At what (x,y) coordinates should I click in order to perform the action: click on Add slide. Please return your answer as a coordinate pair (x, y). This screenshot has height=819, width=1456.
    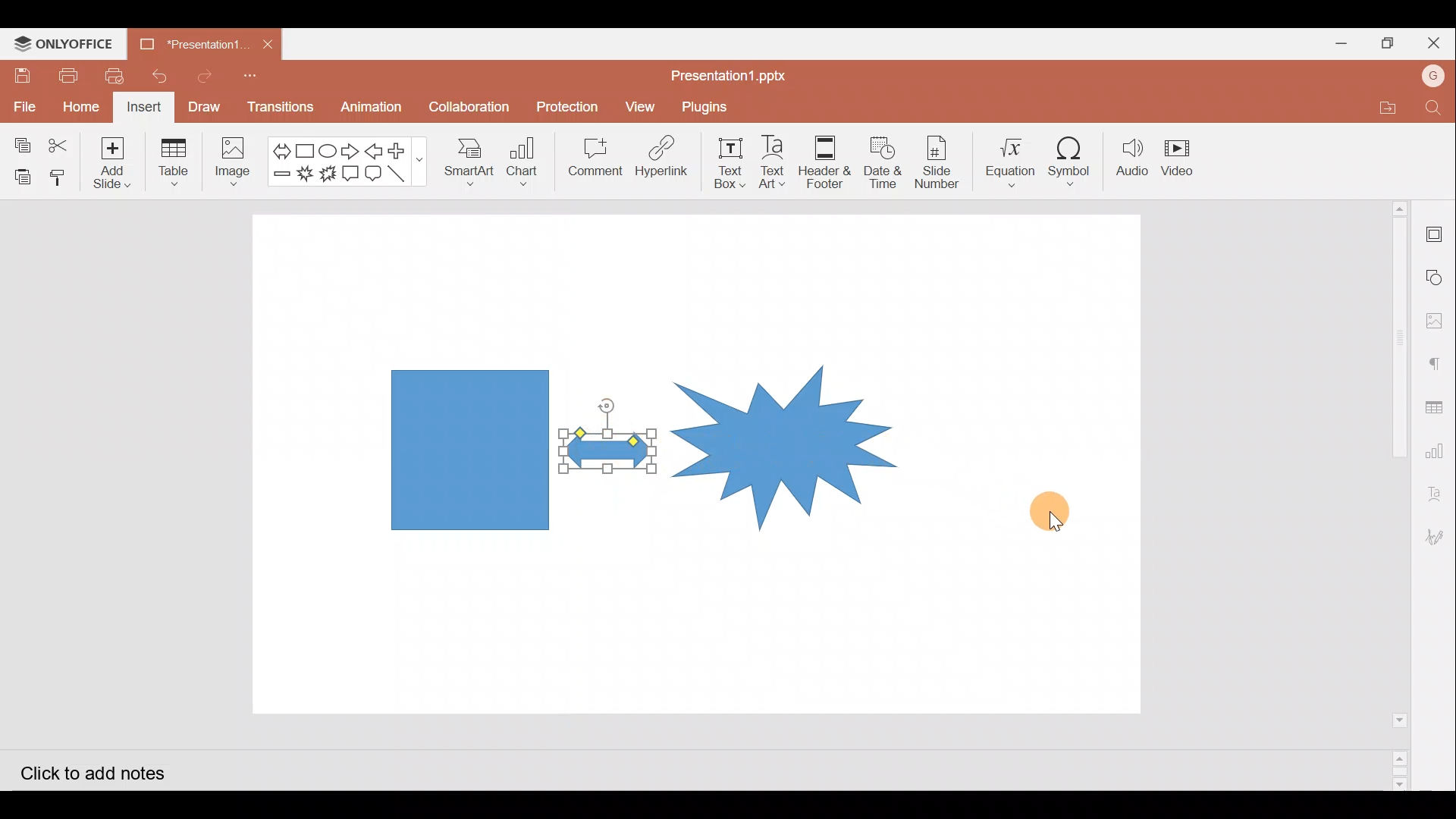
    Looking at the image, I should click on (119, 163).